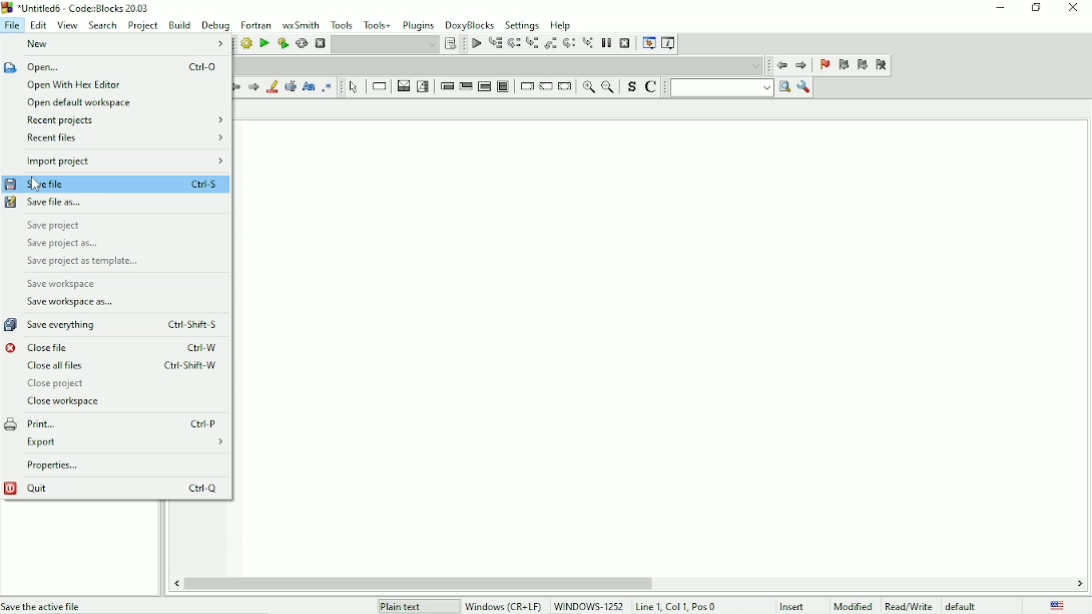 This screenshot has width=1092, height=614. I want to click on Next line, so click(513, 44).